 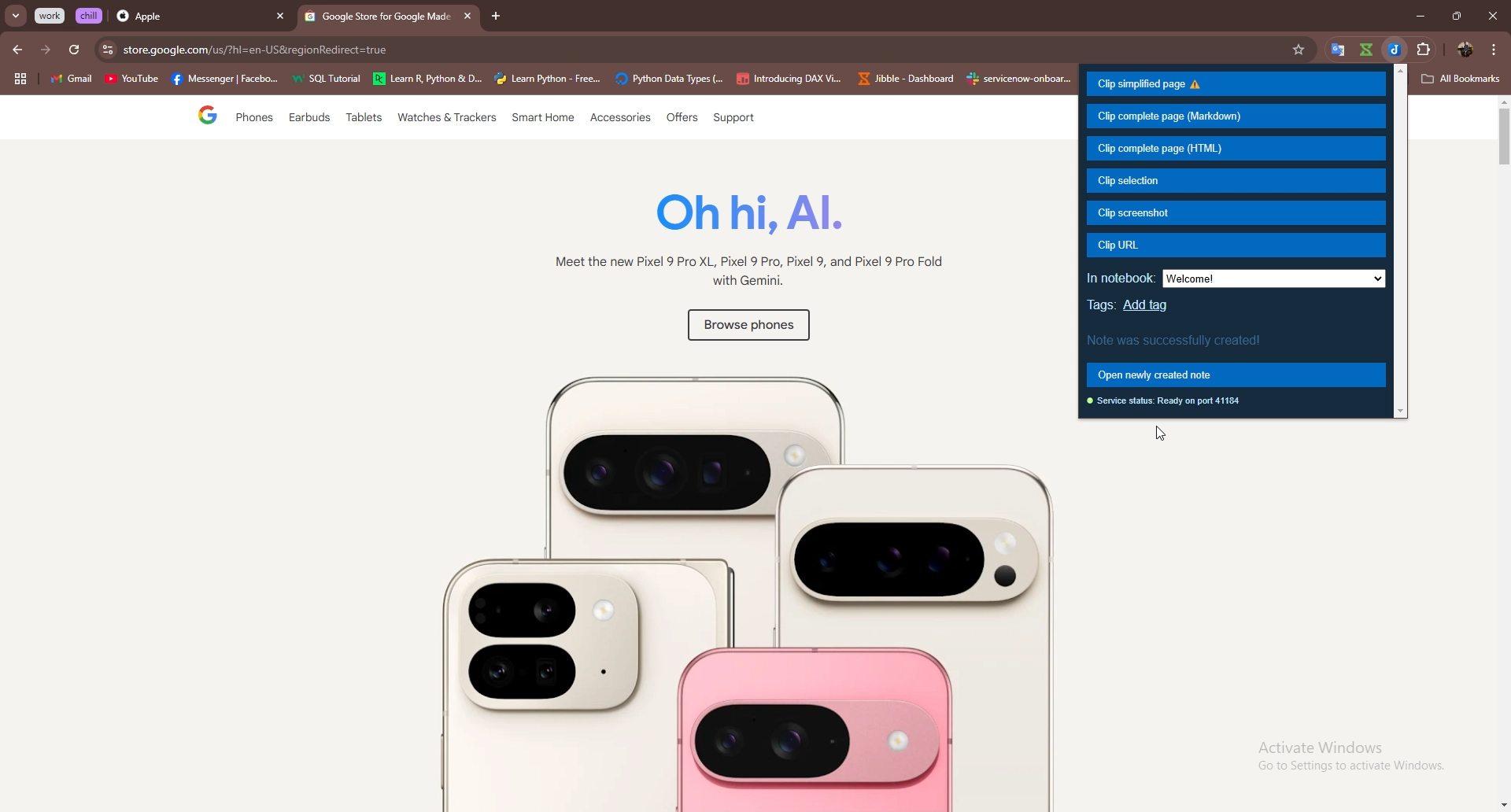 I want to click on clip url, so click(x=1239, y=245).